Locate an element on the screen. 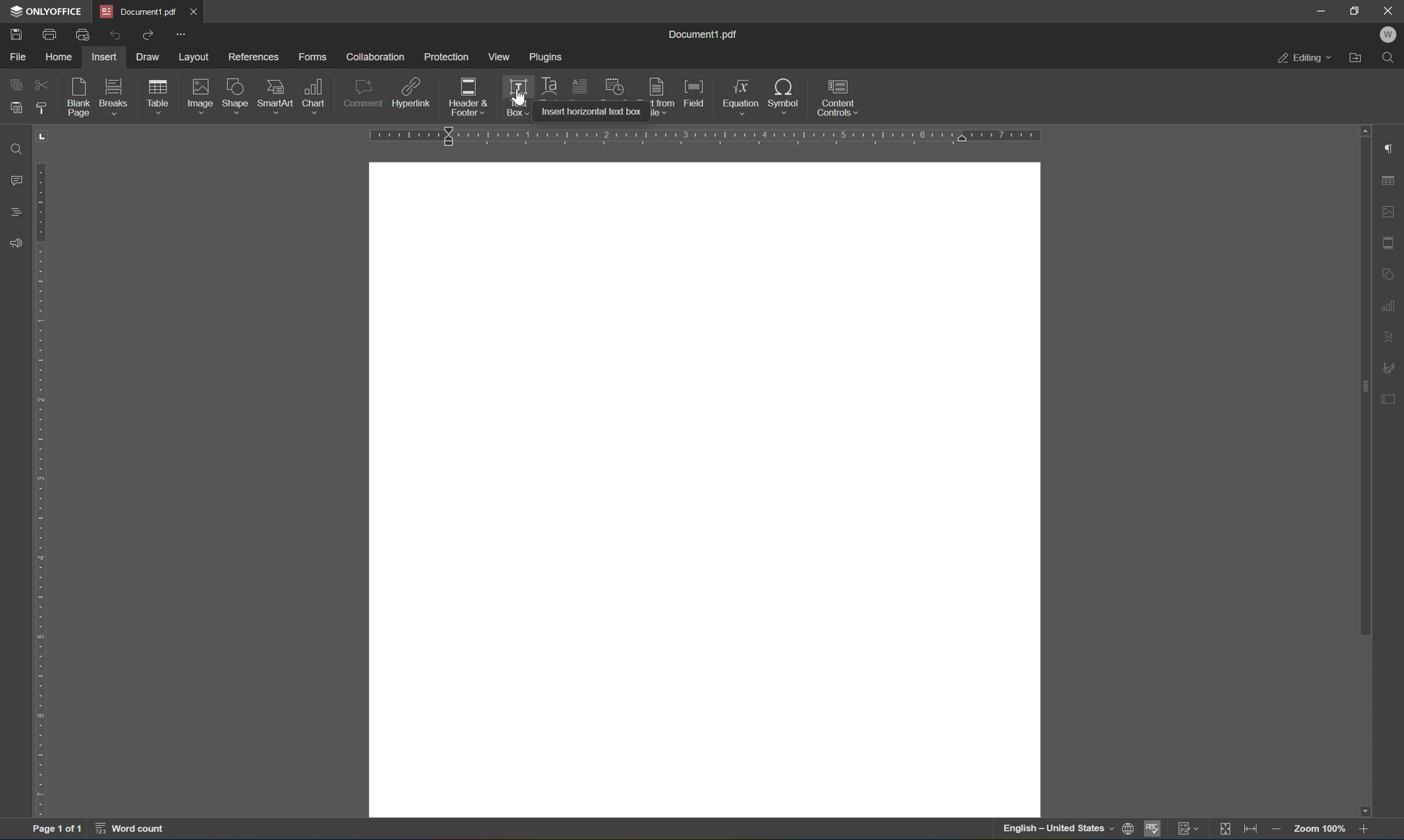  Headings is located at coordinates (17, 212).